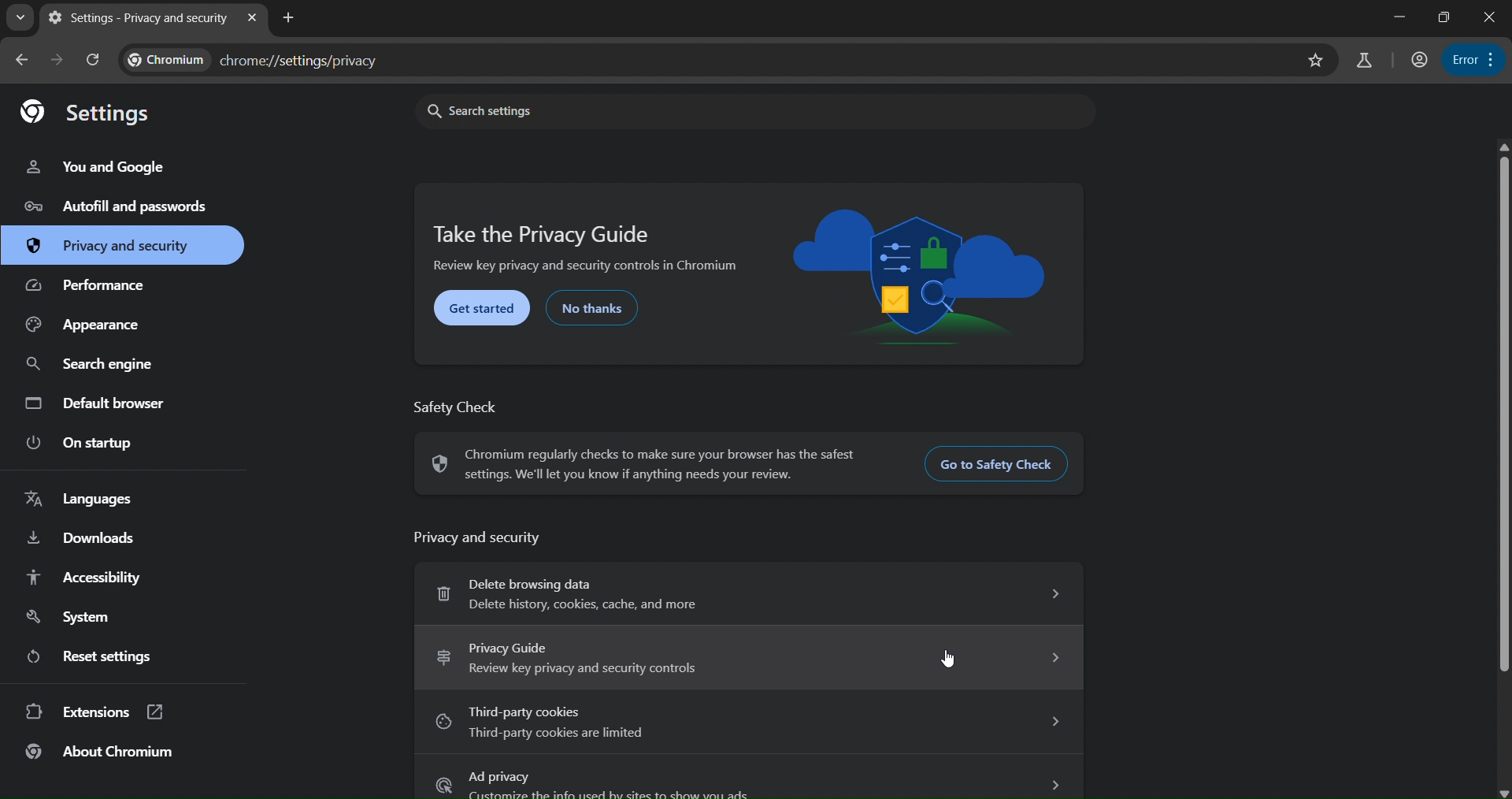 The height and width of the screenshot is (799, 1512). Describe the element at coordinates (594, 308) in the screenshot. I see `no thanks` at that location.